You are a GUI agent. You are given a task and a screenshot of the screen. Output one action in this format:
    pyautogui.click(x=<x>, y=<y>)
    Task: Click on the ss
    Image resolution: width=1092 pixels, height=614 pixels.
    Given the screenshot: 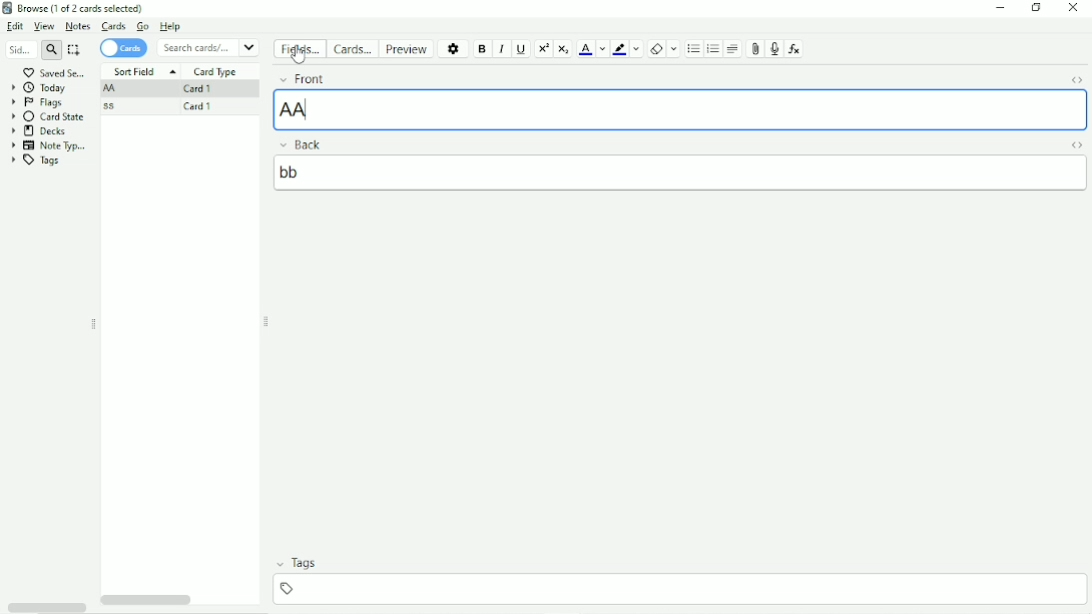 What is the action you would take?
    pyautogui.click(x=114, y=106)
    